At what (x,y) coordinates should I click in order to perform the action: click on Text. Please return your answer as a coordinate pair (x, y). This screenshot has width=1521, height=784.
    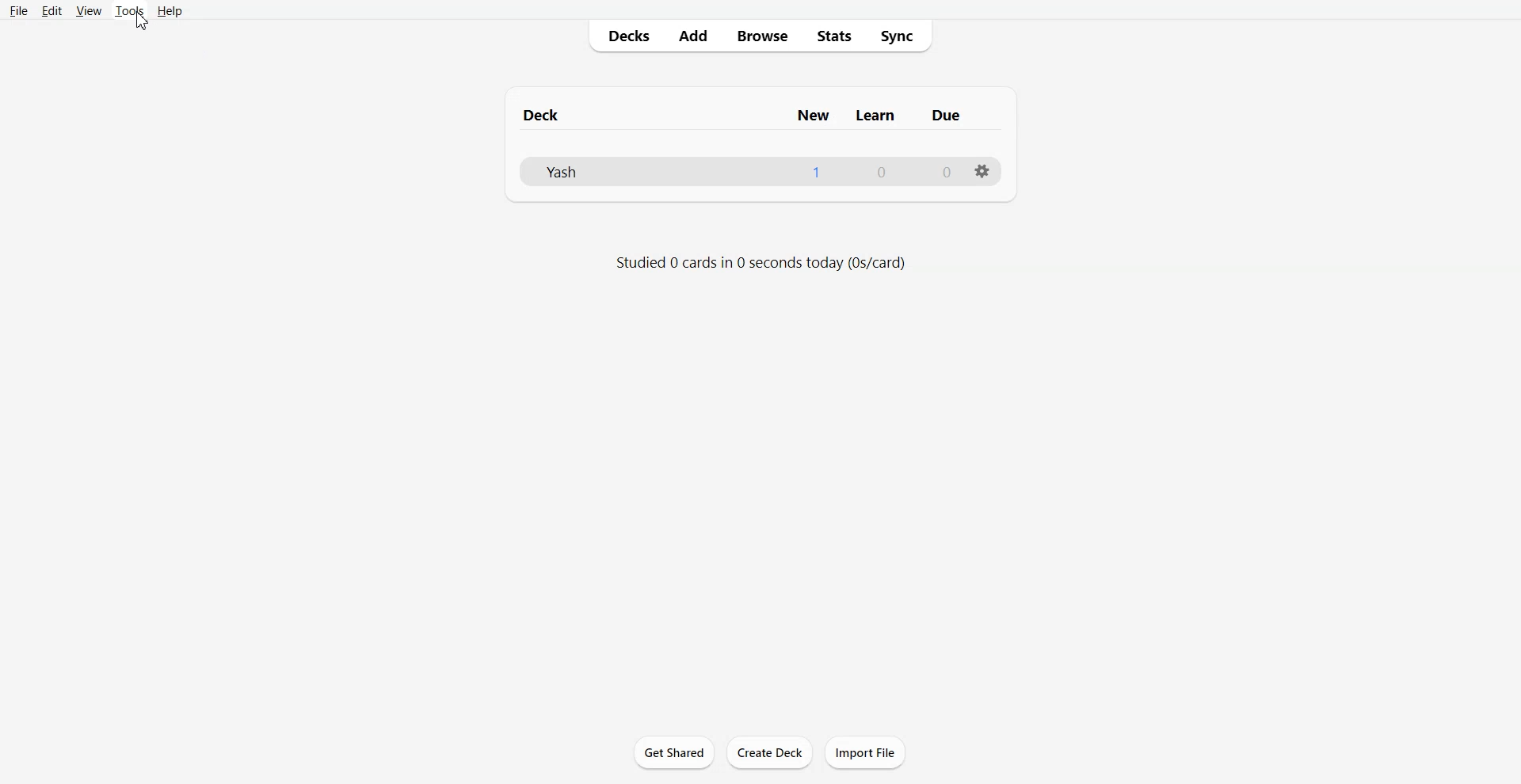
    Looking at the image, I should click on (882, 173).